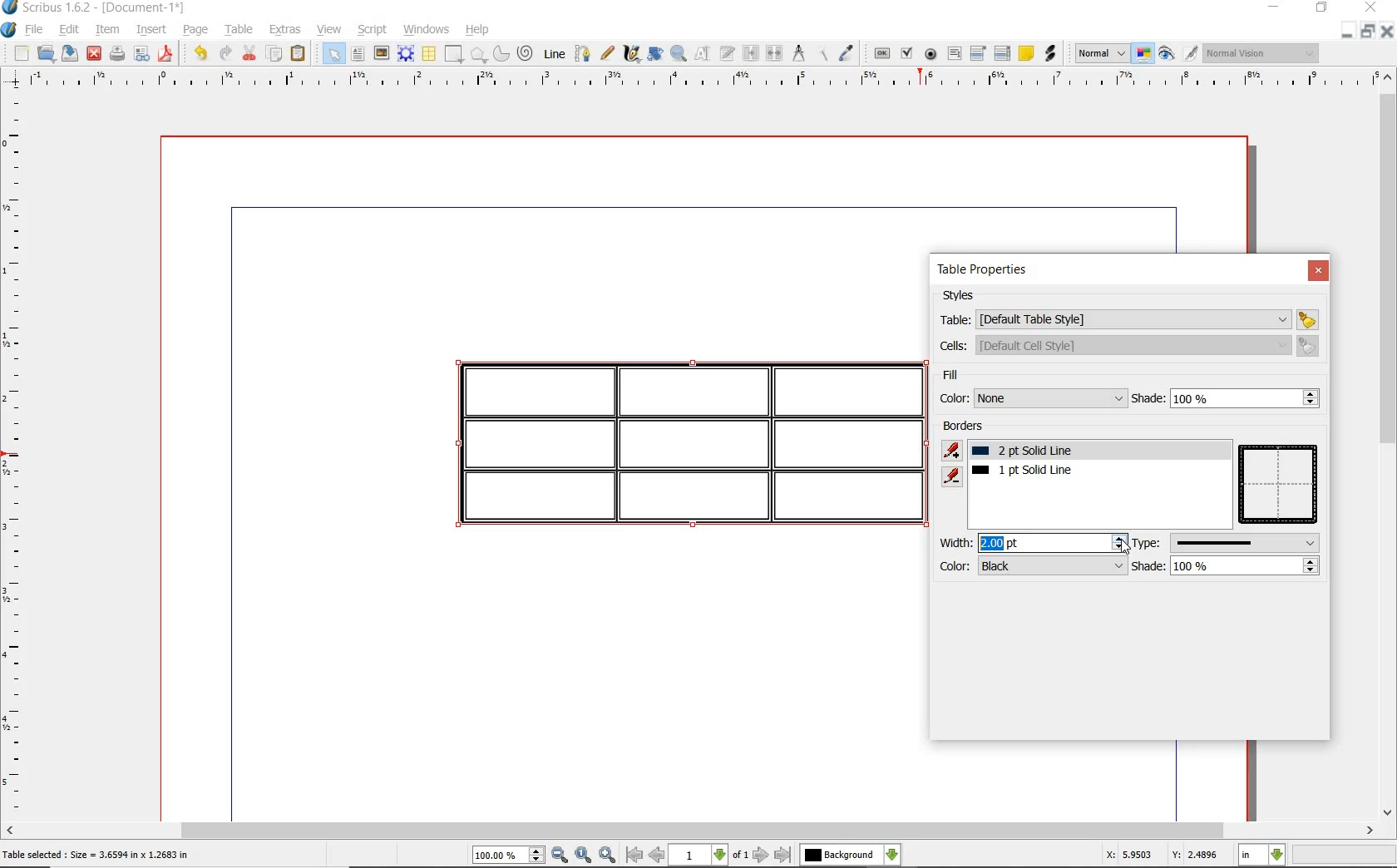 The height and width of the screenshot is (868, 1397). What do you see at coordinates (882, 54) in the screenshot?
I see `pdf push button` at bounding box center [882, 54].